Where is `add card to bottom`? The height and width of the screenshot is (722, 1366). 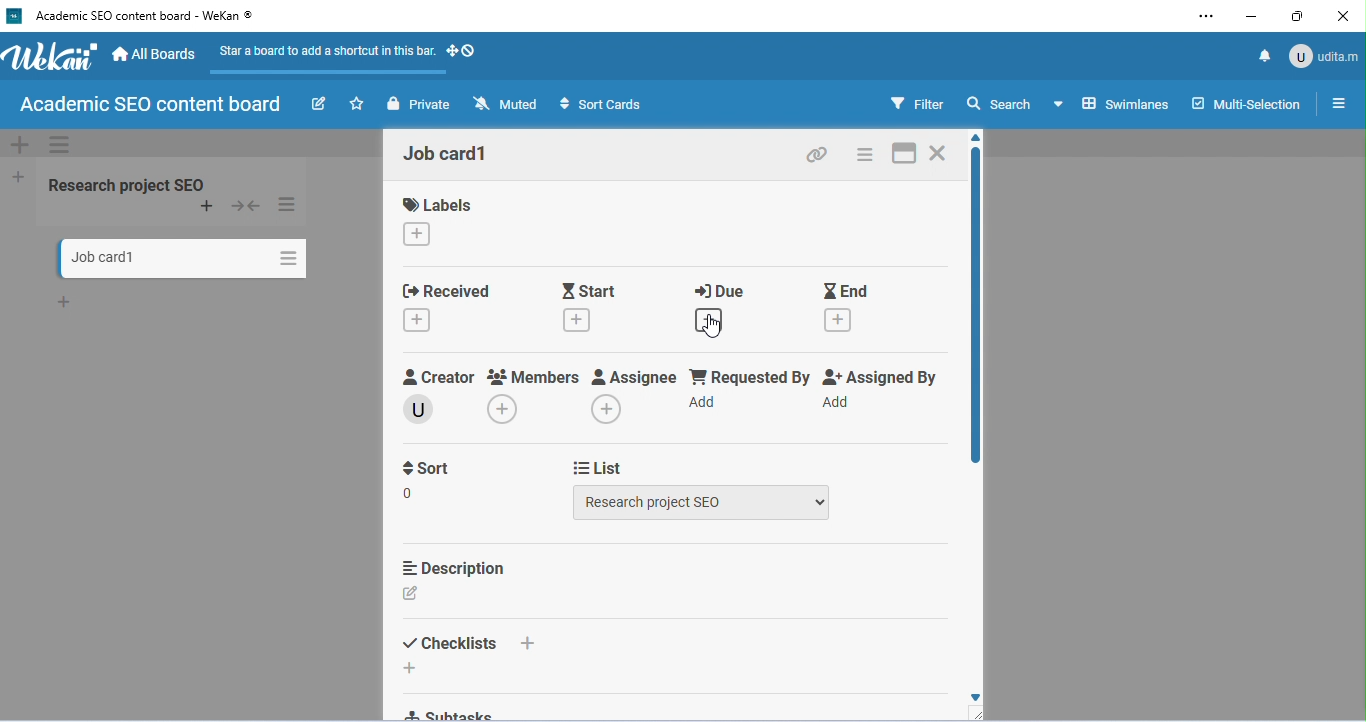
add card to bottom is located at coordinates (67, 302).